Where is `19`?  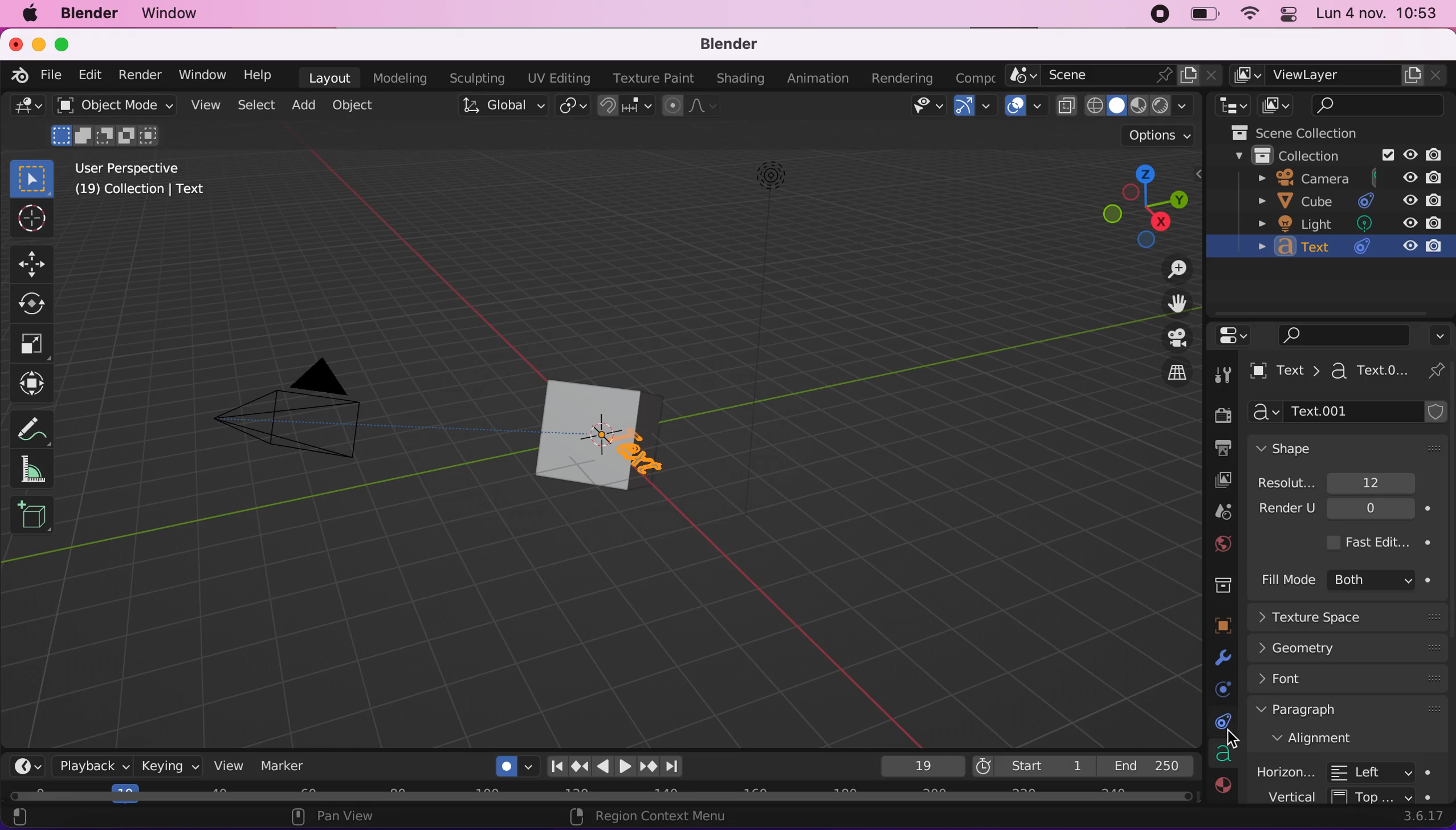 19 is located at coordinates (919, 766).